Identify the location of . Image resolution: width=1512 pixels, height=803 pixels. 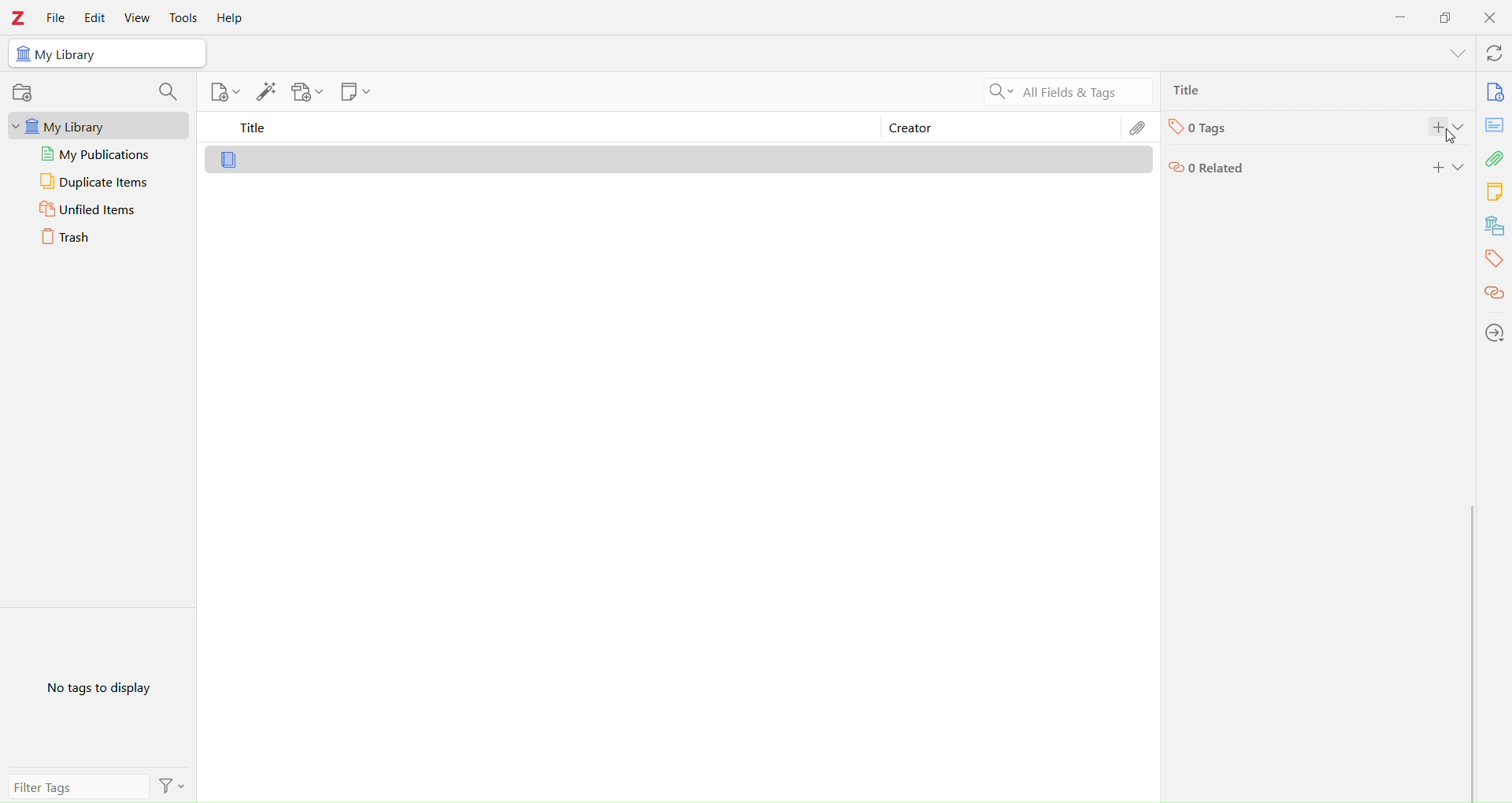
(1406, 17).